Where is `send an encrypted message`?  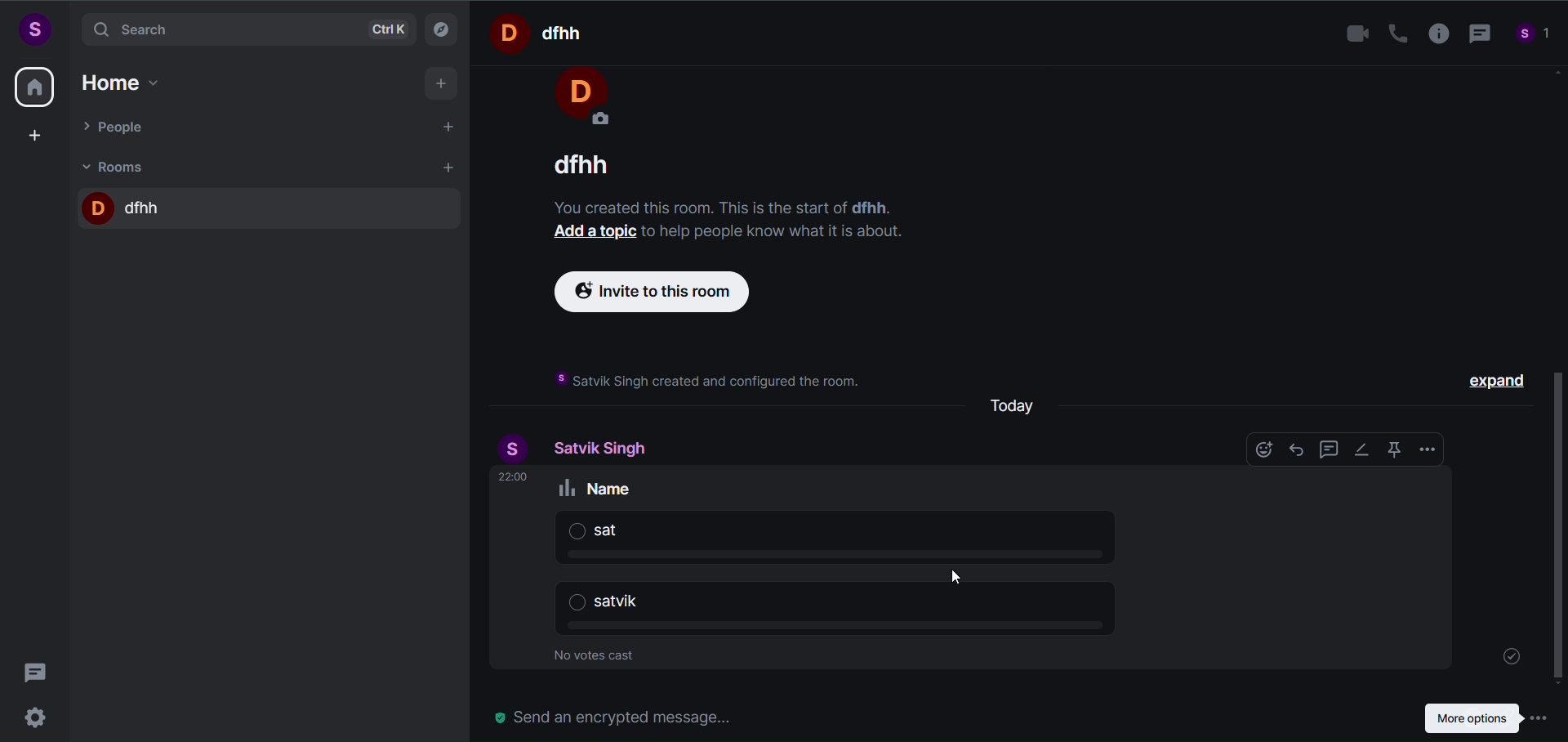
send an encrypted message is located at coordinates (621, 717).